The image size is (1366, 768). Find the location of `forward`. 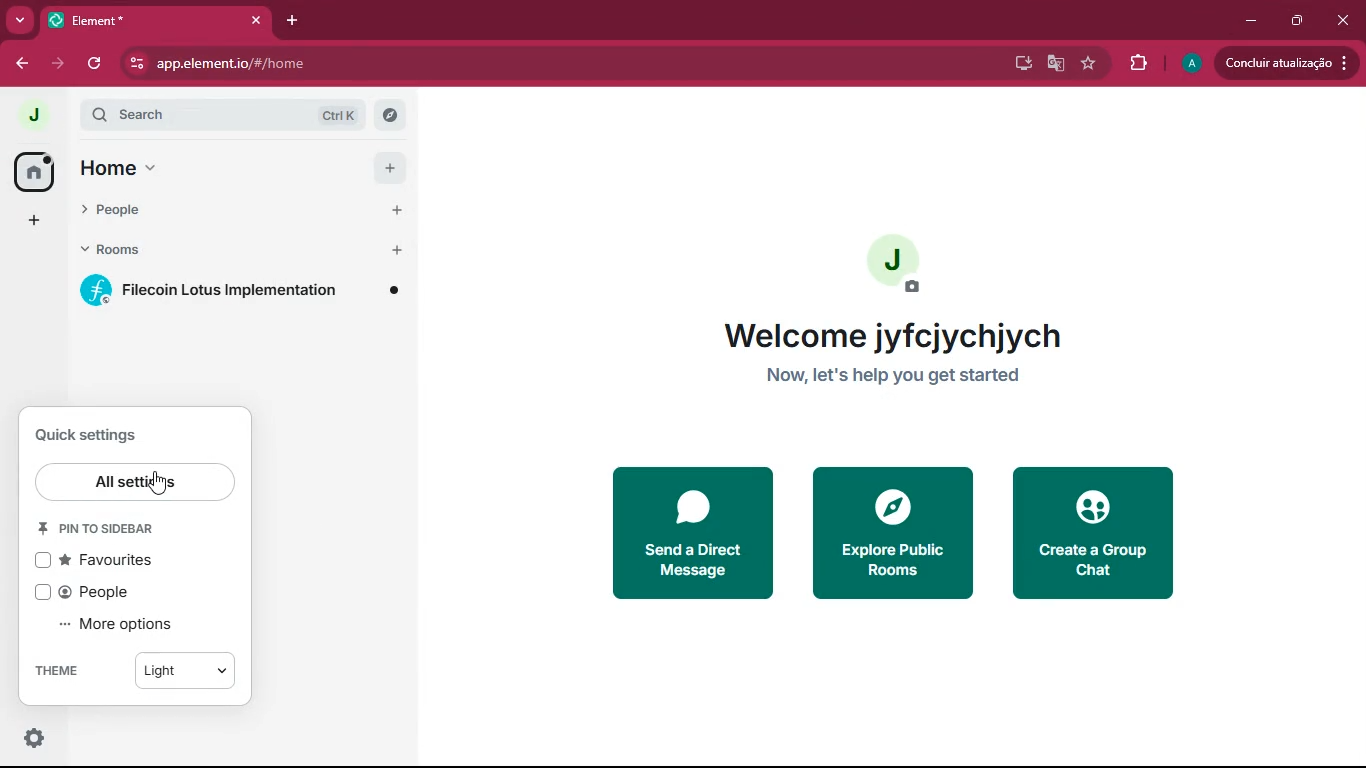

forward is located at coordinates (60, 63).